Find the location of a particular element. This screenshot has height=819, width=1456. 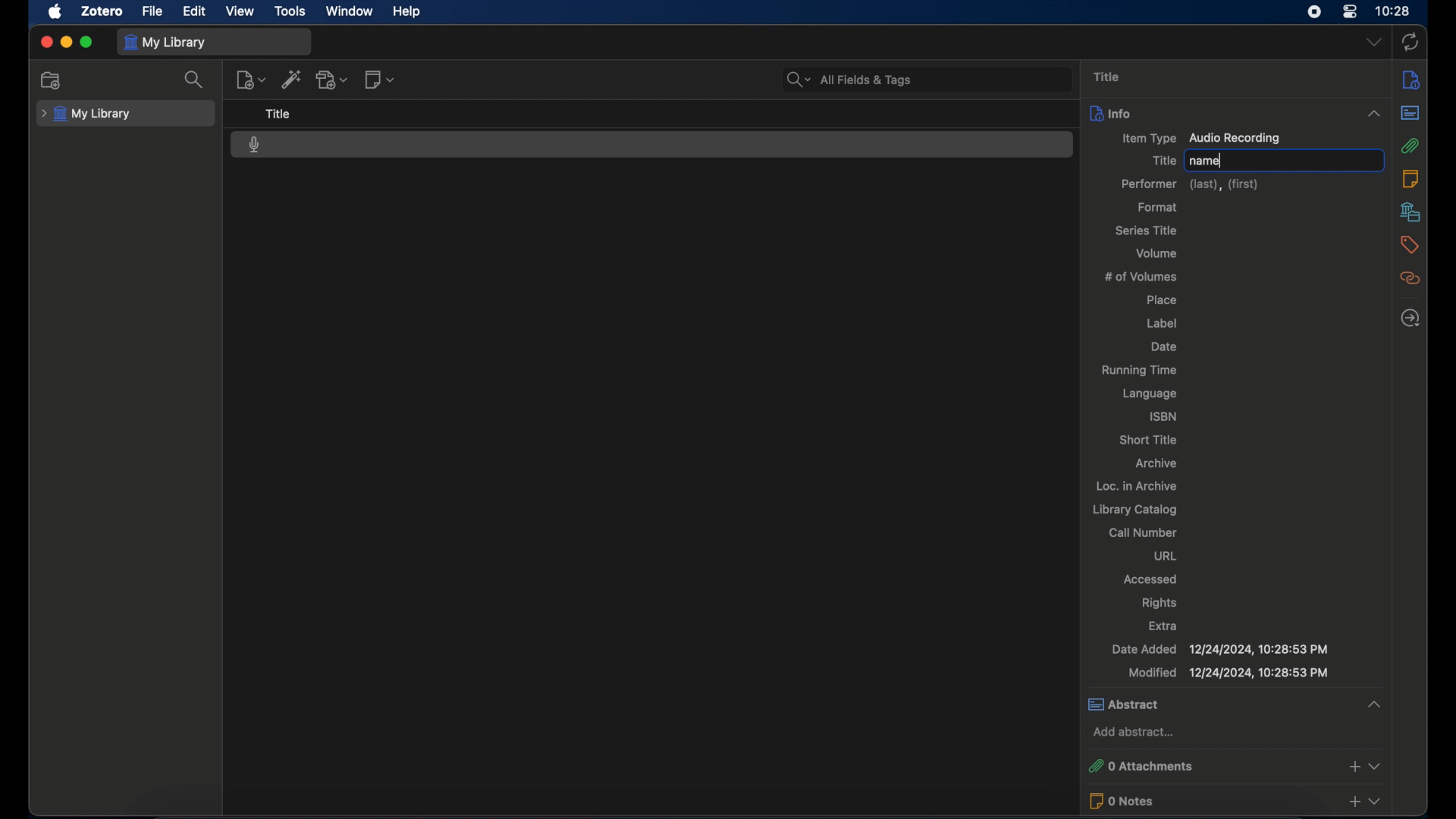

all number is located at coordinates (1144, 532).